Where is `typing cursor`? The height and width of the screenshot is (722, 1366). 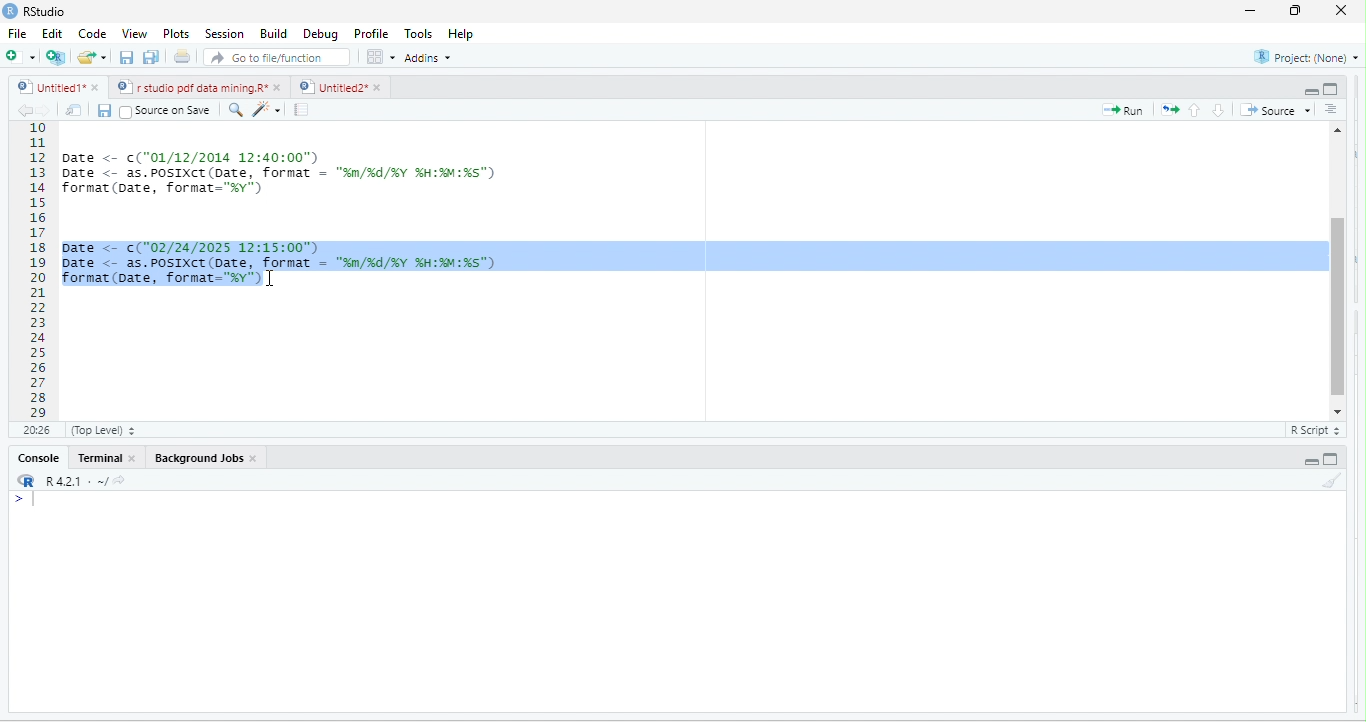 typing cursor is located at coordinates (35, 507).